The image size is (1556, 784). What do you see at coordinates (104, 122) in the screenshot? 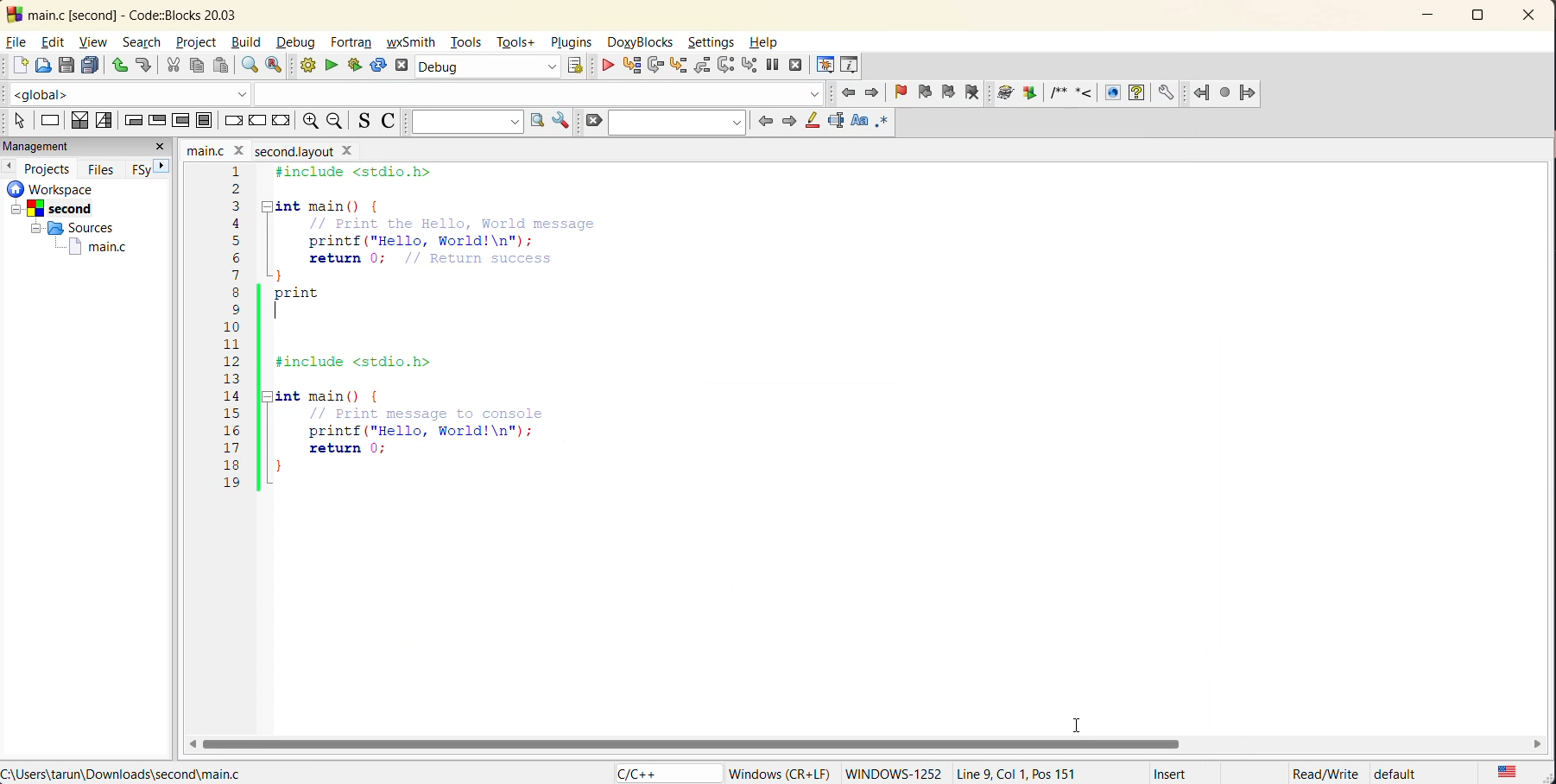
I see `selection` at bounding box center [104, 122].